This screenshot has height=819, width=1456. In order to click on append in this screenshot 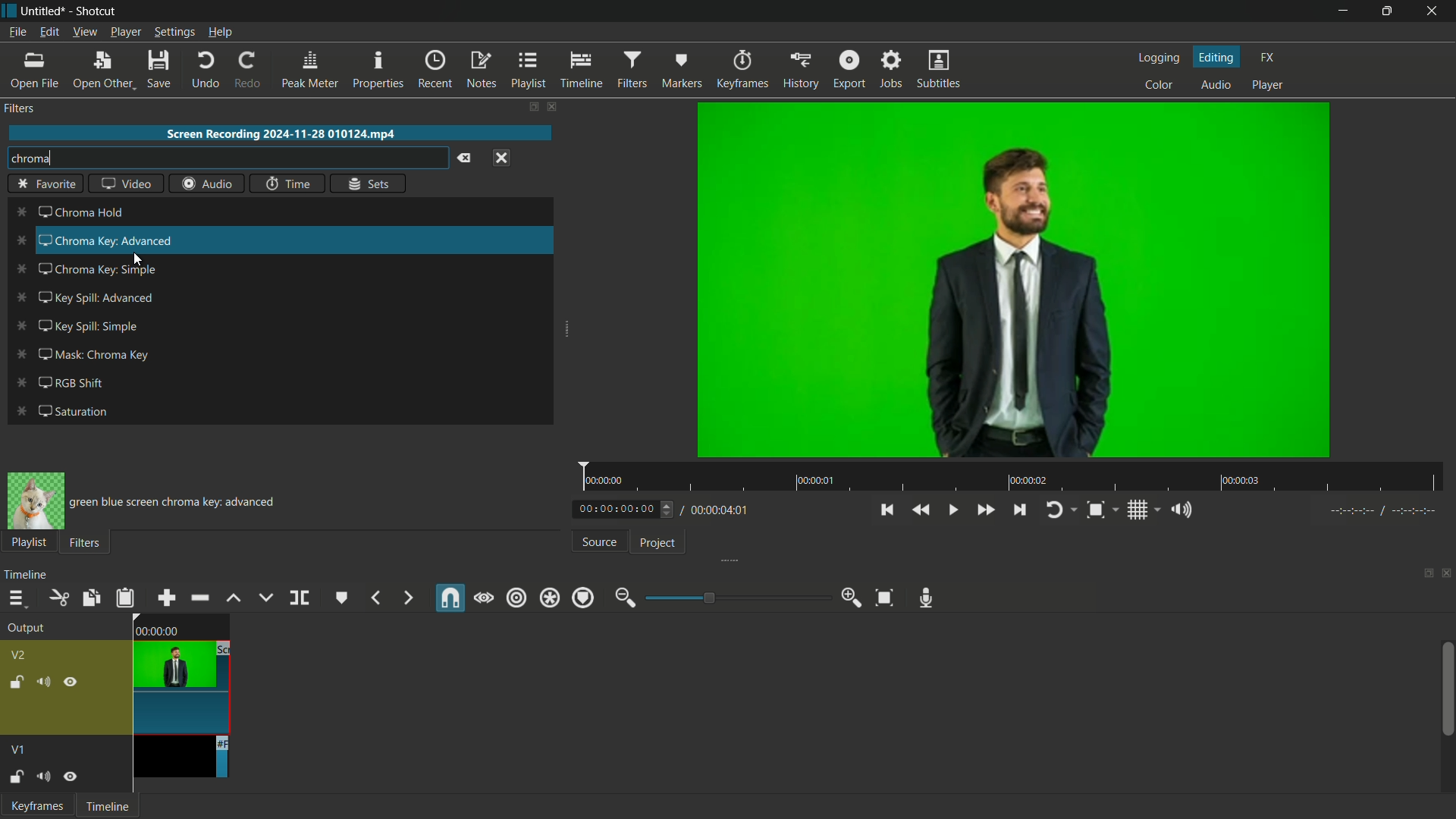, I will do `click(167, 598)`.